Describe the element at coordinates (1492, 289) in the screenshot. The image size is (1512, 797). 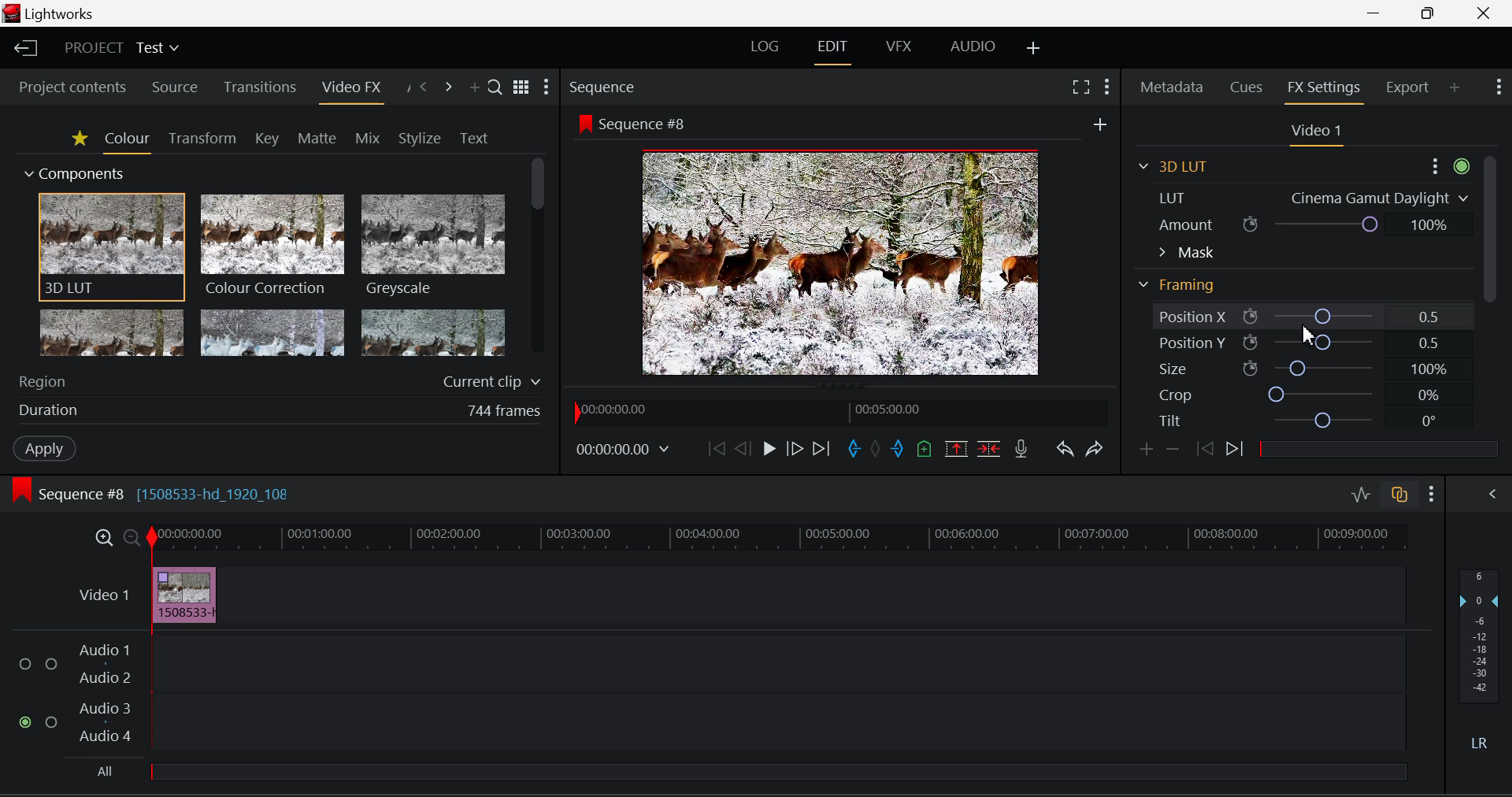
I see `Scroll Bar` at that location.